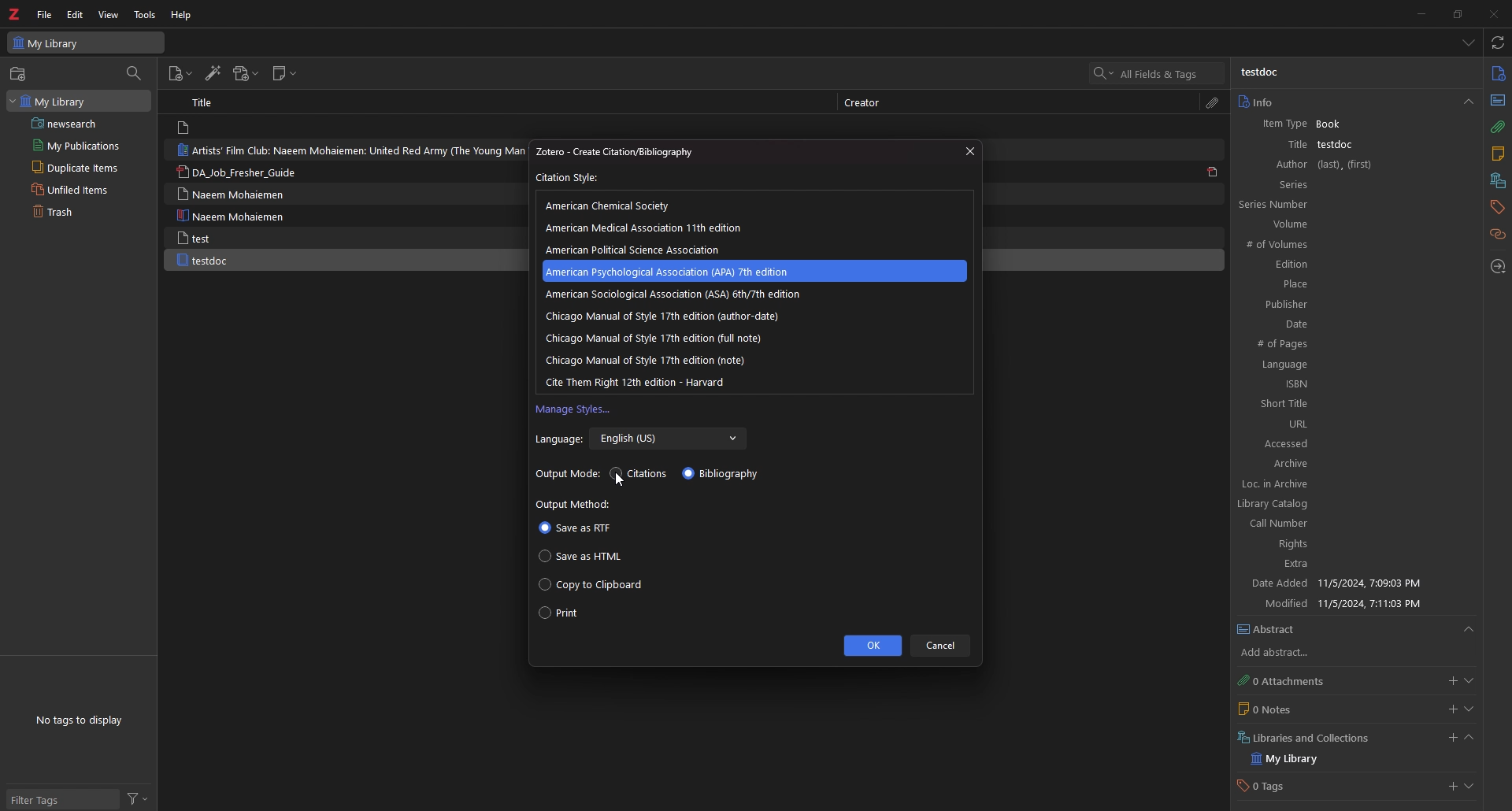  I want to click on Libraries and Collections, so click(1309, 736).